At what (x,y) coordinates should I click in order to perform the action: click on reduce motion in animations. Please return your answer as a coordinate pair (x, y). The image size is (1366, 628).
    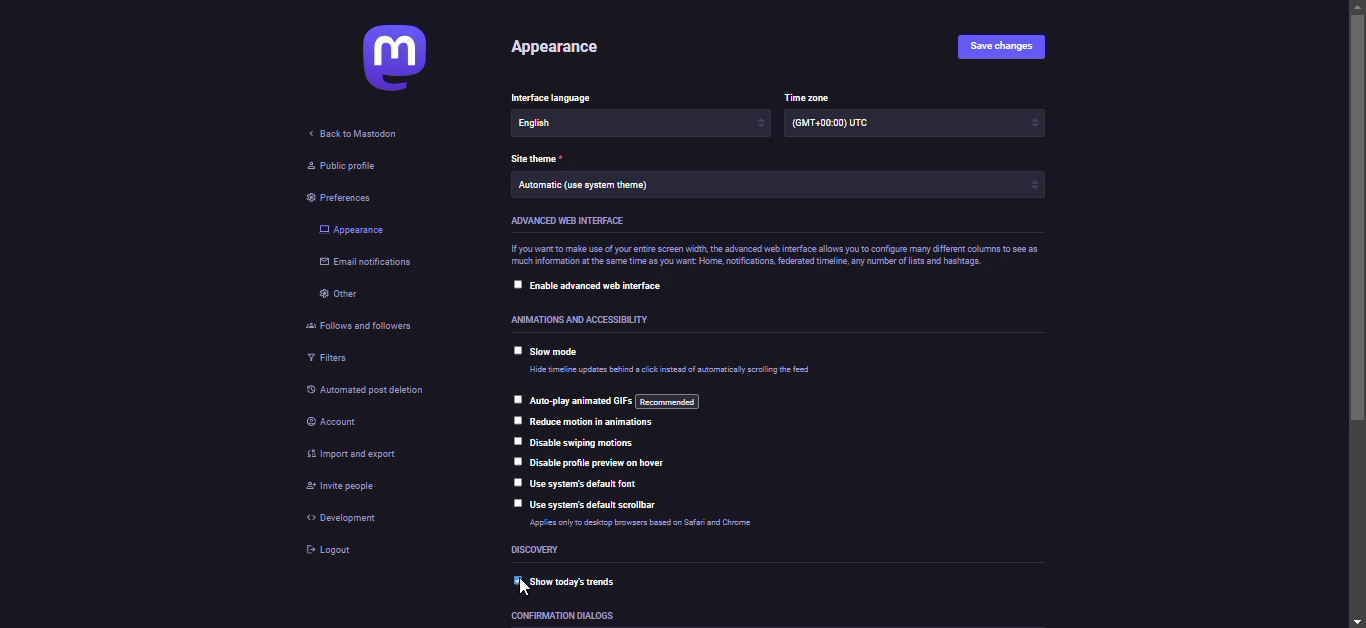
    Looking at the image, I should click on (597, 423).